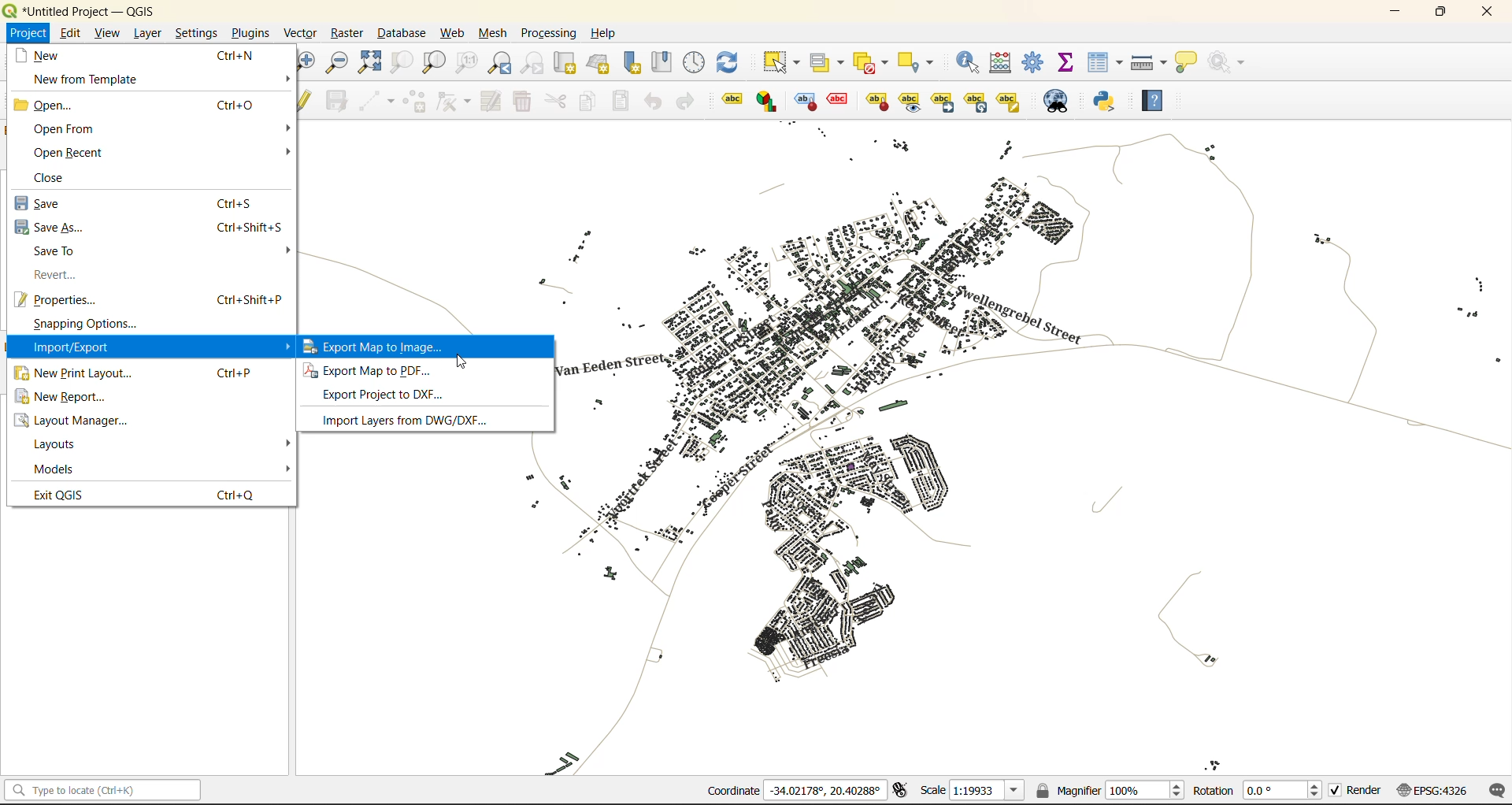 The width and height of the screenshot is (1512, 805). I want to click on zoom in, so click(307, 61).